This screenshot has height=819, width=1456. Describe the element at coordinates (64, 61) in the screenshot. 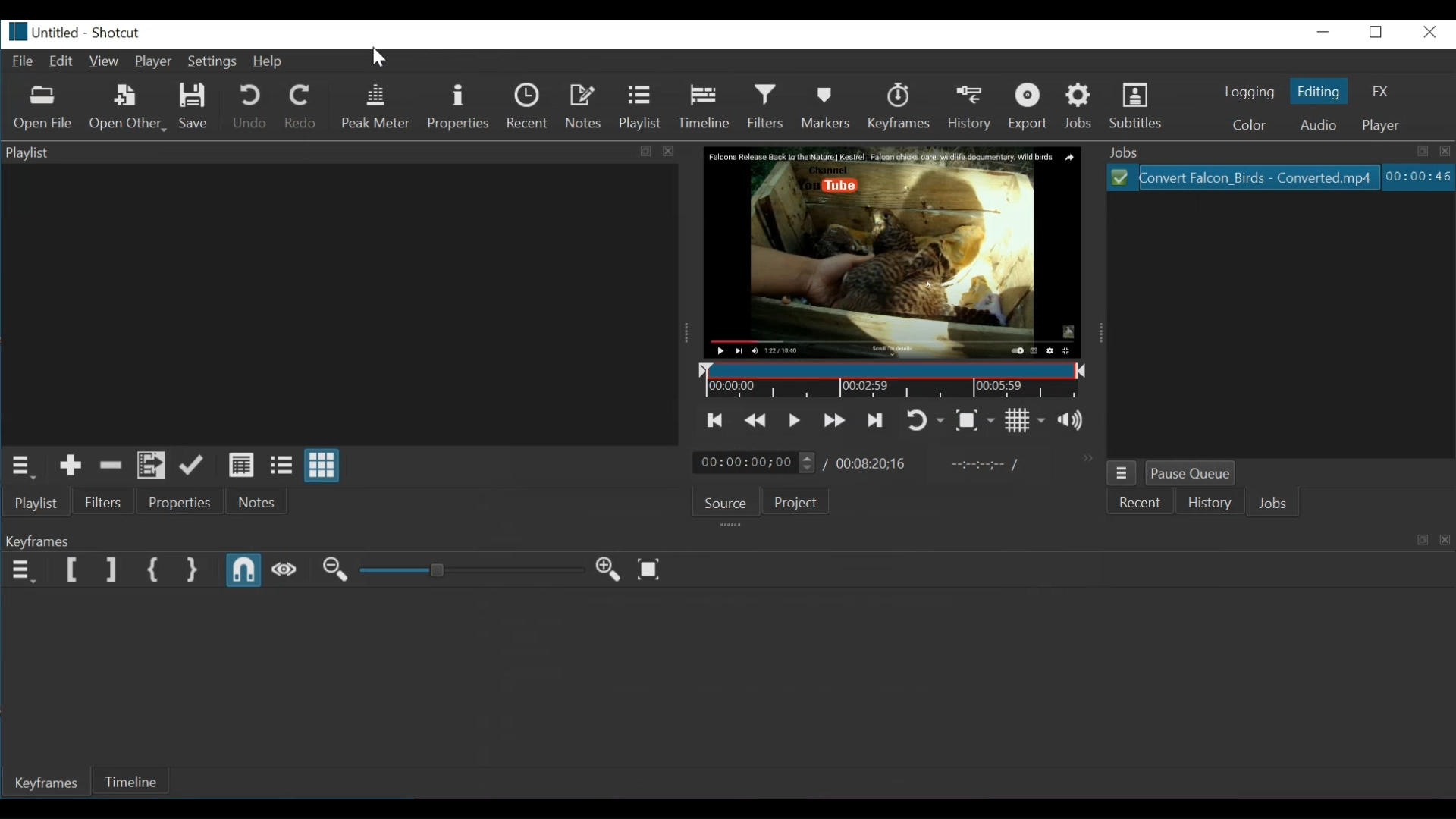

I see `Edit` at that location.